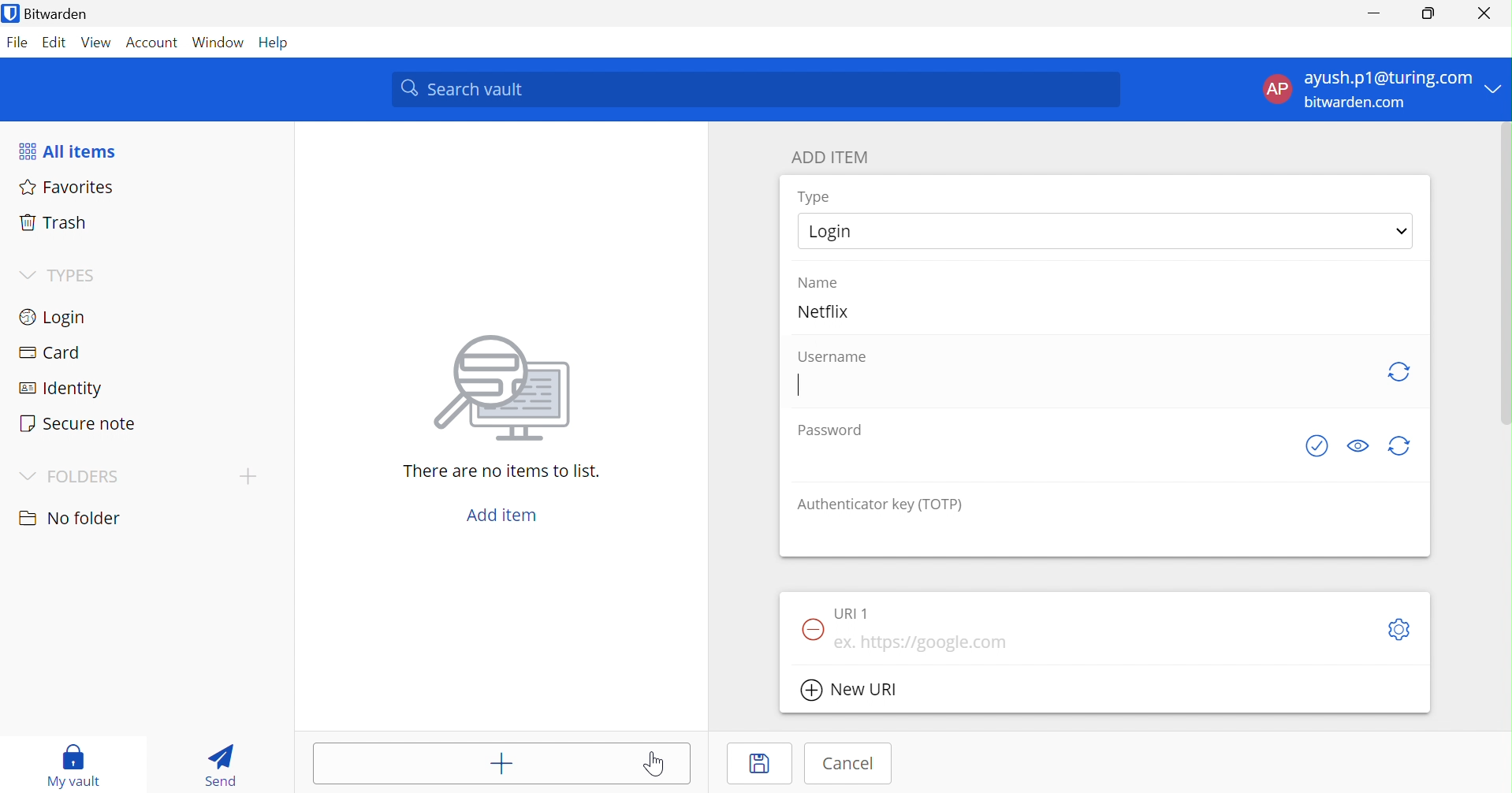  Describe the element at coordinates (851, 613) in the screenshot. I see `URl 1` at that location.